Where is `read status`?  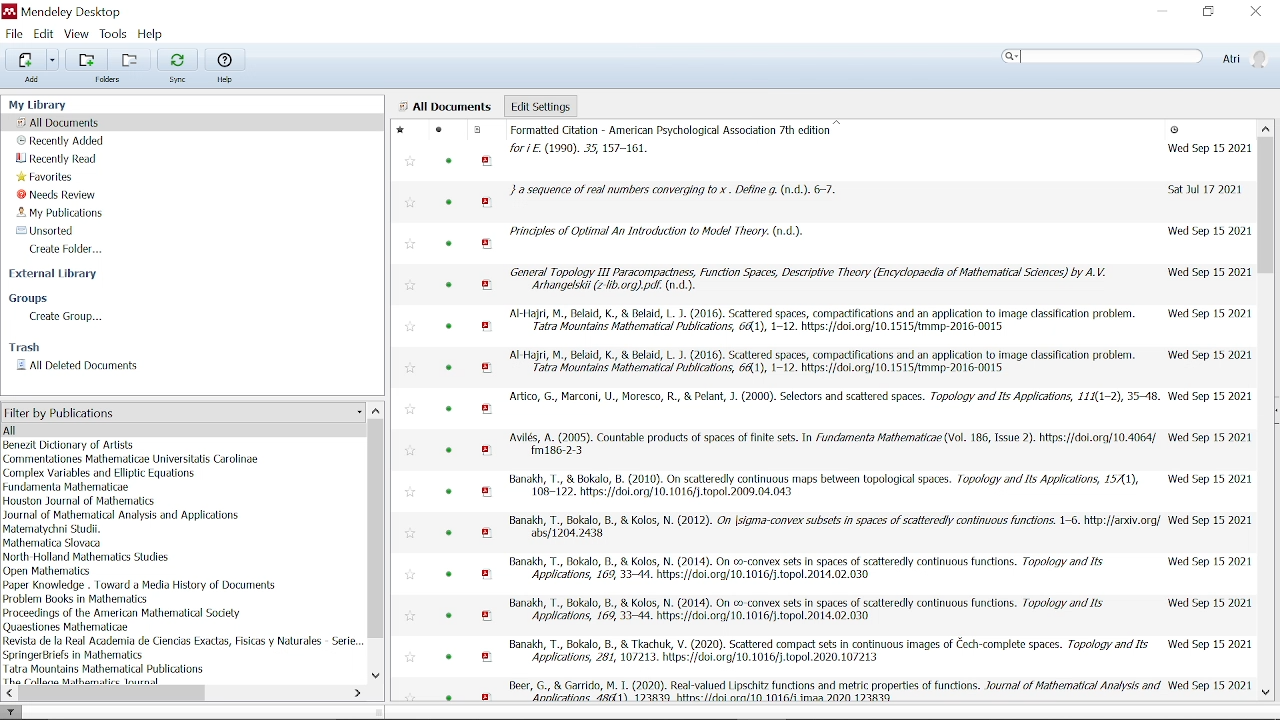
read status is located at coordinates (448, 696).